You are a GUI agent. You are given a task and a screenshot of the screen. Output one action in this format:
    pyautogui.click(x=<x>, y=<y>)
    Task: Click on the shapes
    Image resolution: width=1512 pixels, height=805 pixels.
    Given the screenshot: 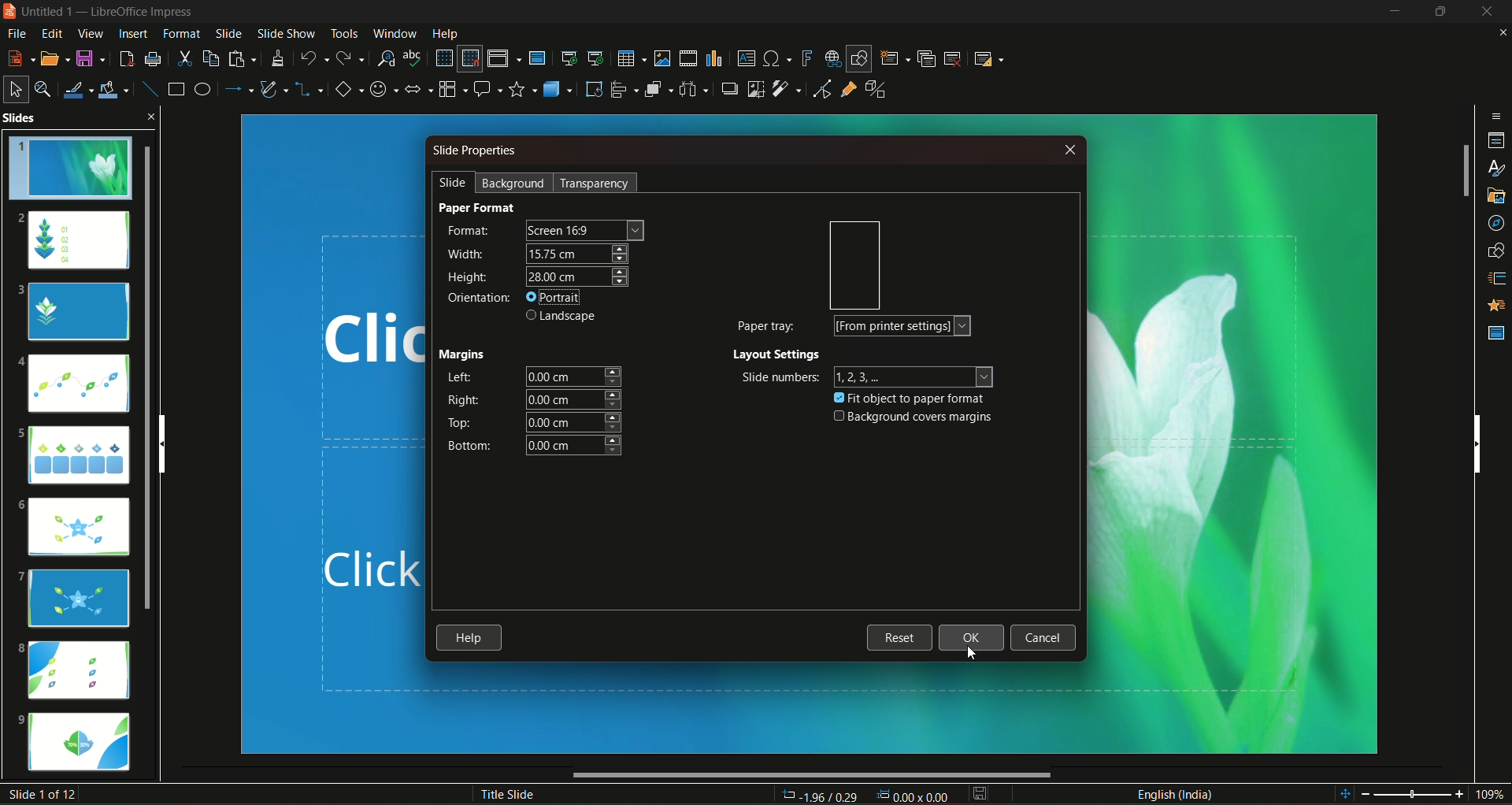 What is the action you would take?
    pyautogui.click(x=1494, y=251)
    